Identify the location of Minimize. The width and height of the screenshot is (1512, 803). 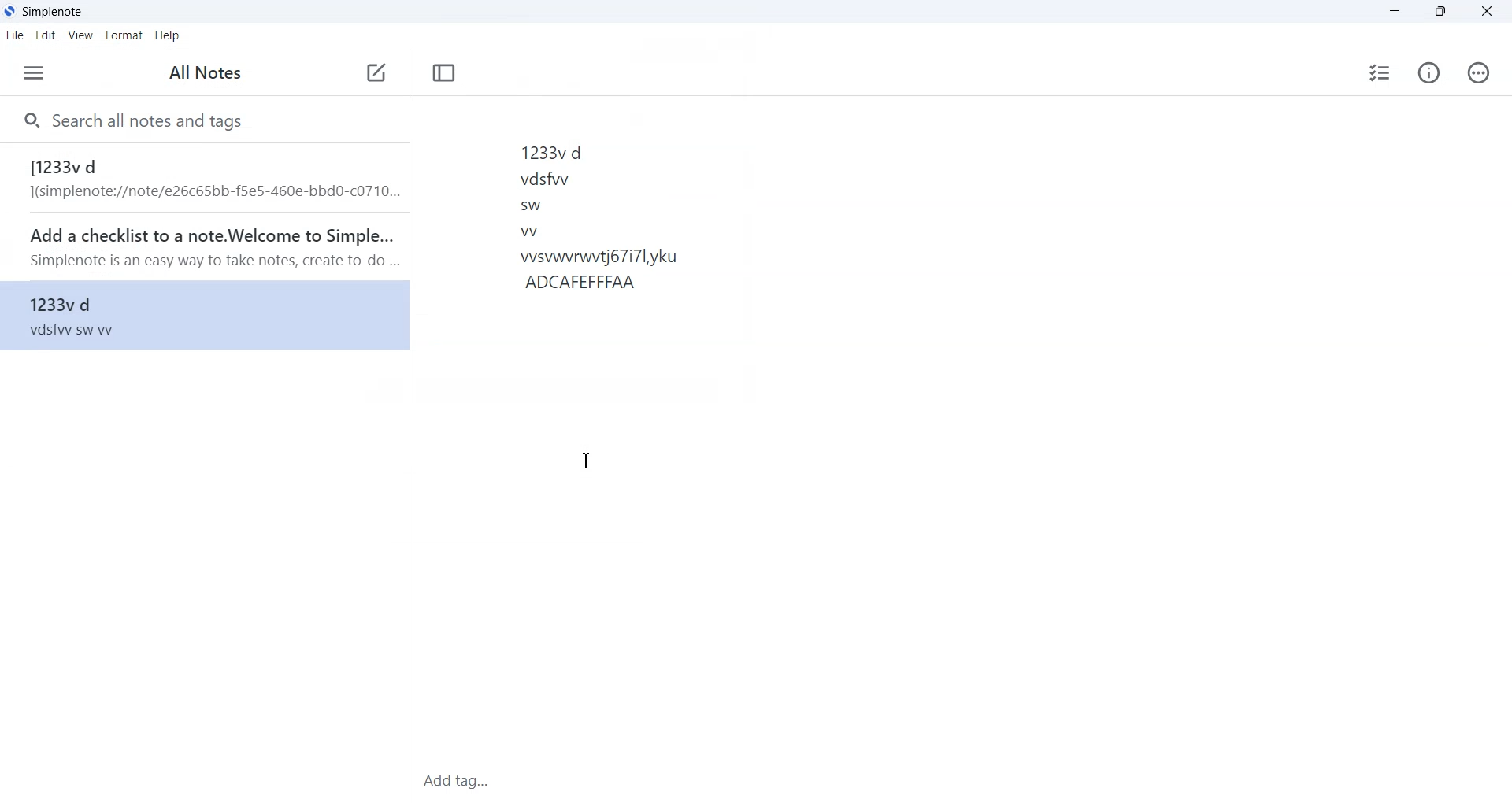
(1395, 12).